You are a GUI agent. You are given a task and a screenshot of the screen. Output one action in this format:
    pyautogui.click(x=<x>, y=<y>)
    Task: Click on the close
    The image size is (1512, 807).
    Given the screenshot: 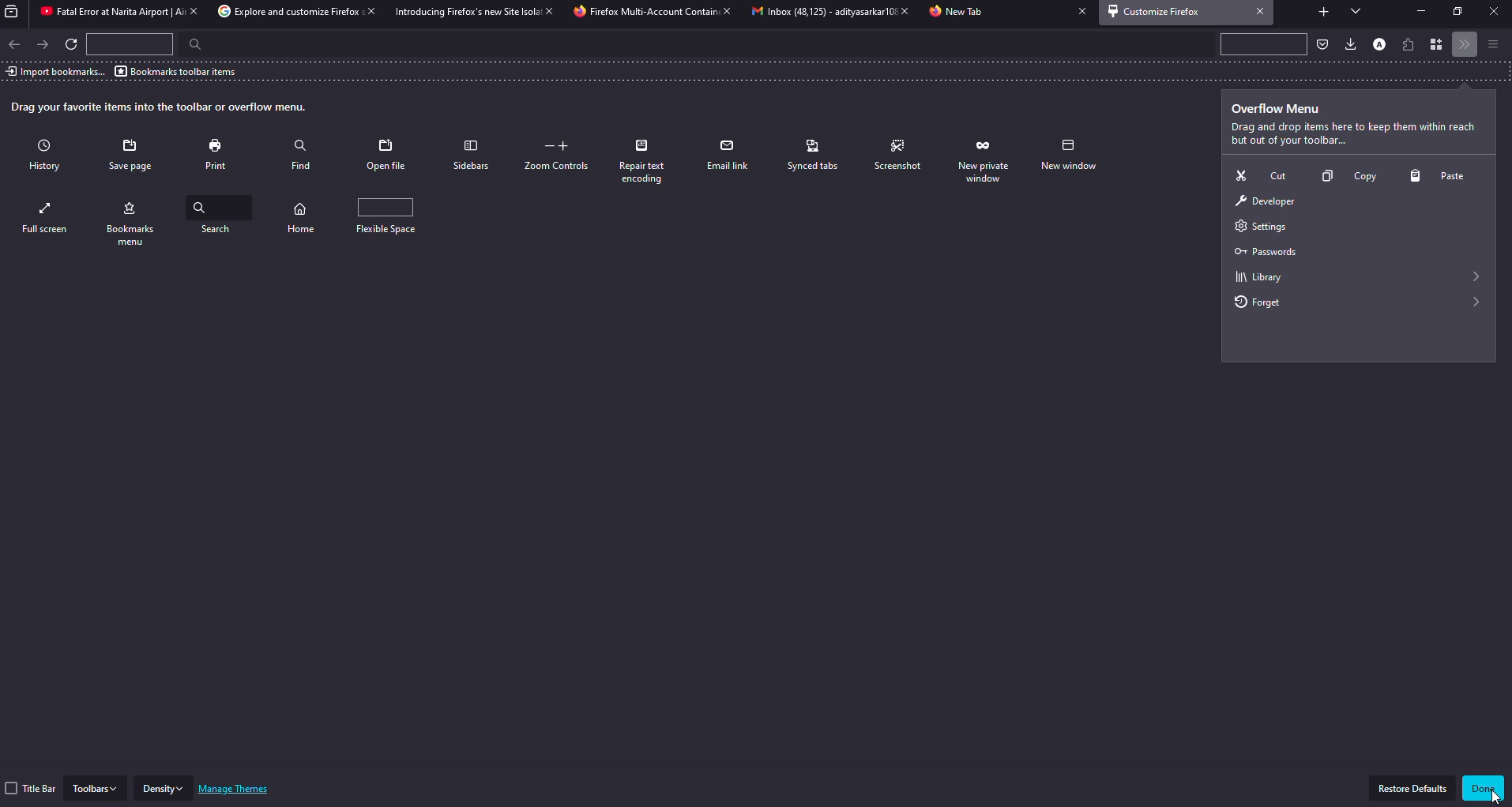 What is the action you would take?
    pyautogui.click(x=1078, y=12)
    